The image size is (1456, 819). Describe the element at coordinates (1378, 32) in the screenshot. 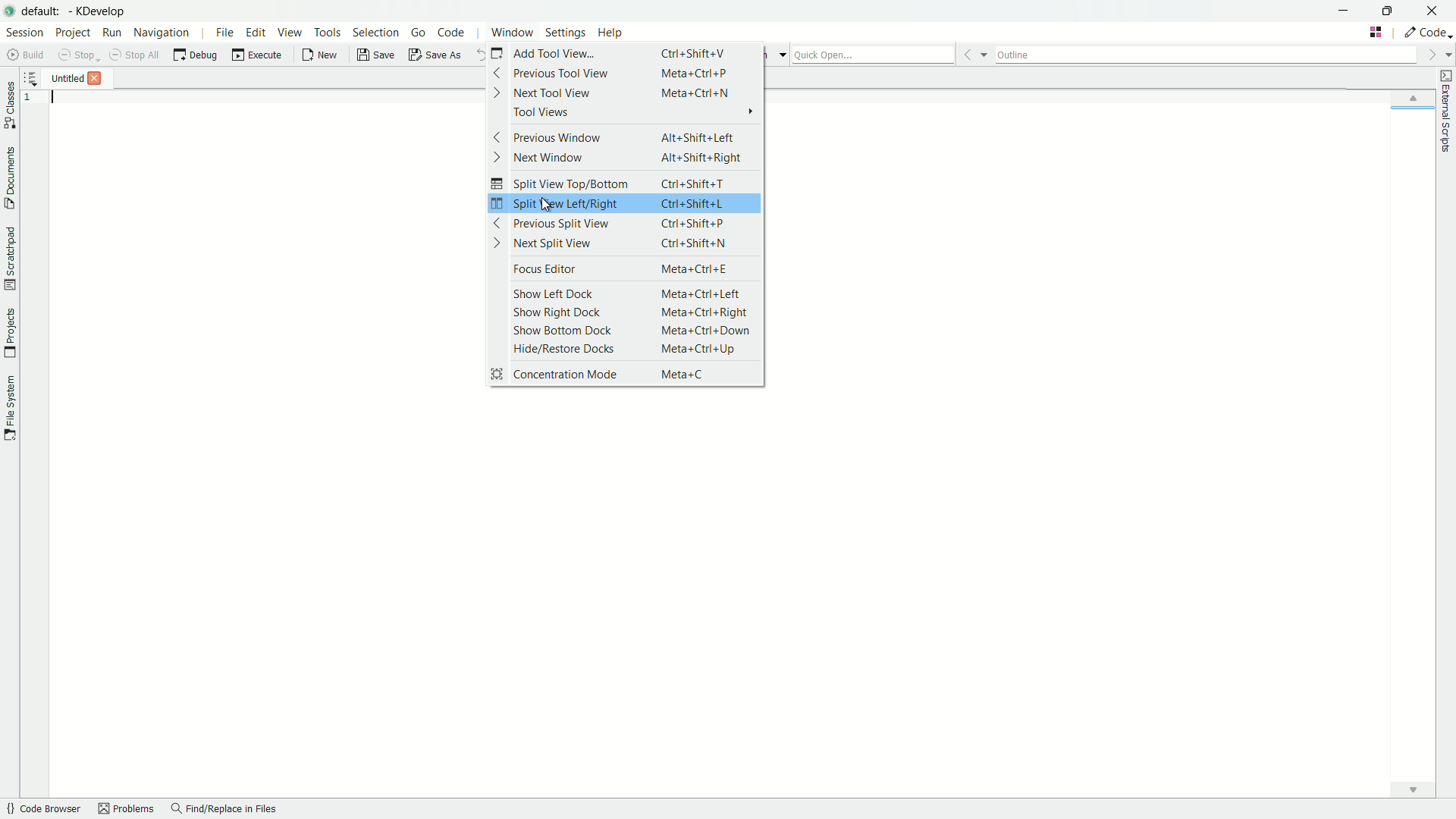

I see `change tab layout` at that location.